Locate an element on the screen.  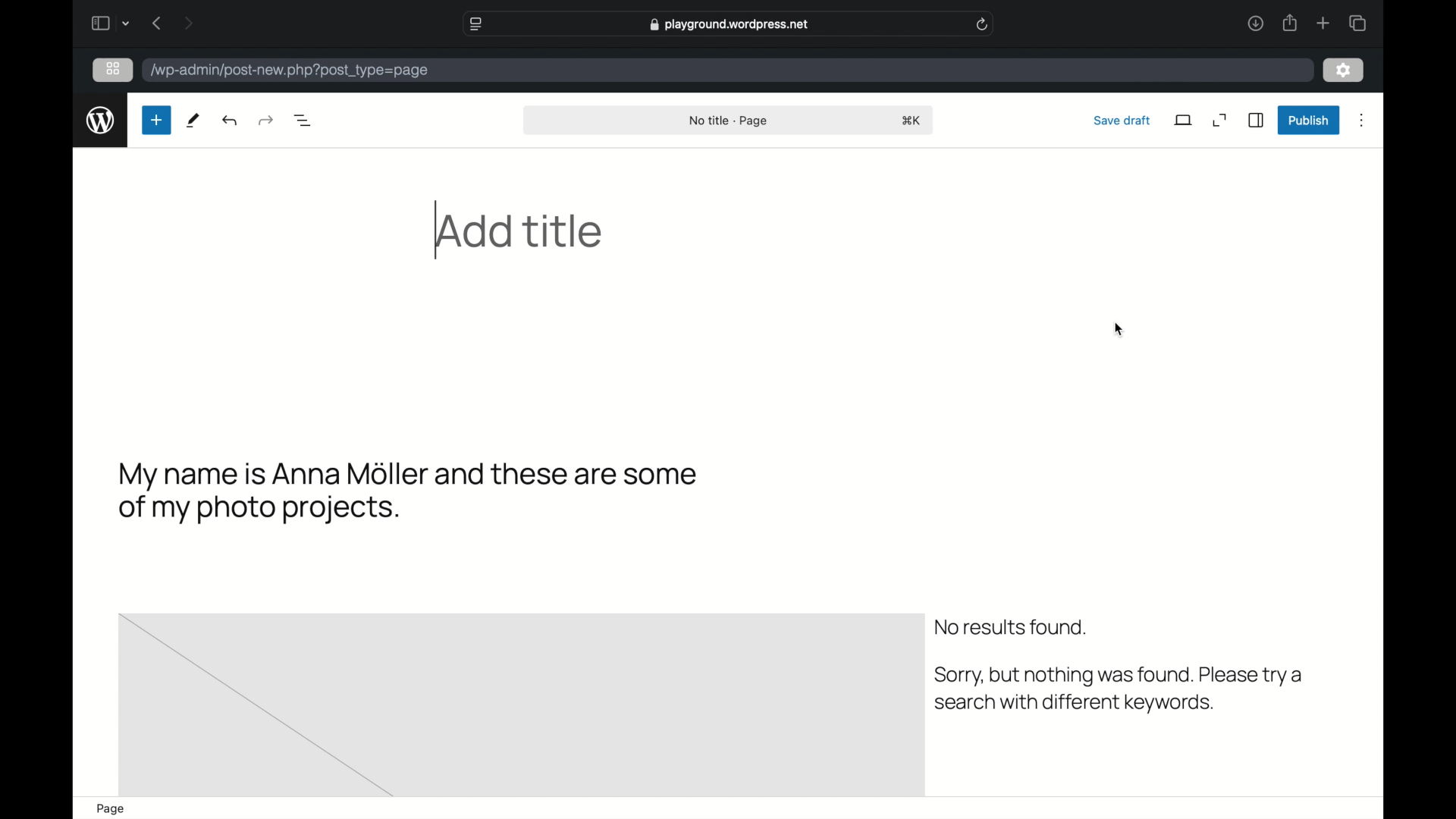
cursor is located at coordinates (1119, 329).